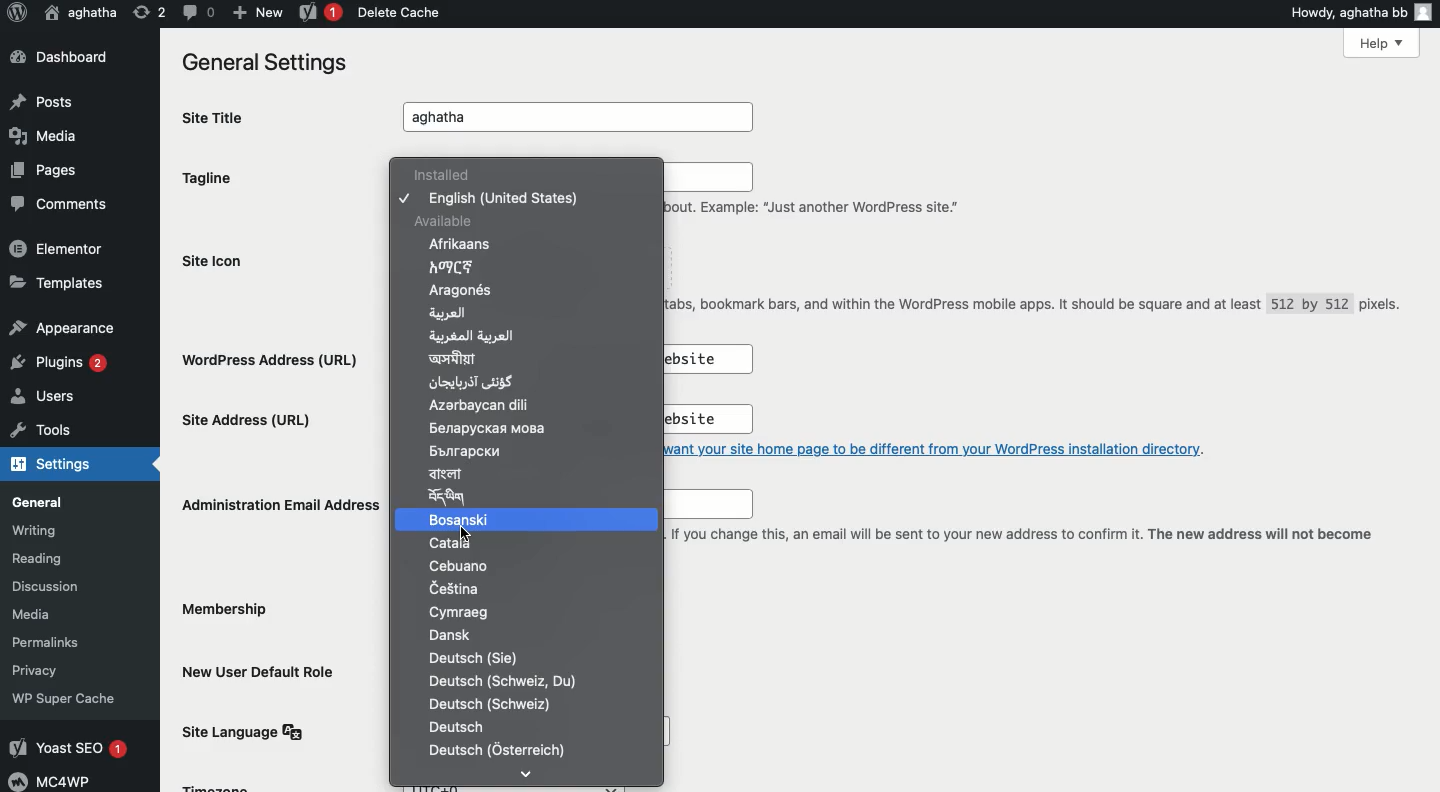  What do you see at coordinates (57, 248) in the screenshot?
I see `Elementor` at bounding box center [57, 248].